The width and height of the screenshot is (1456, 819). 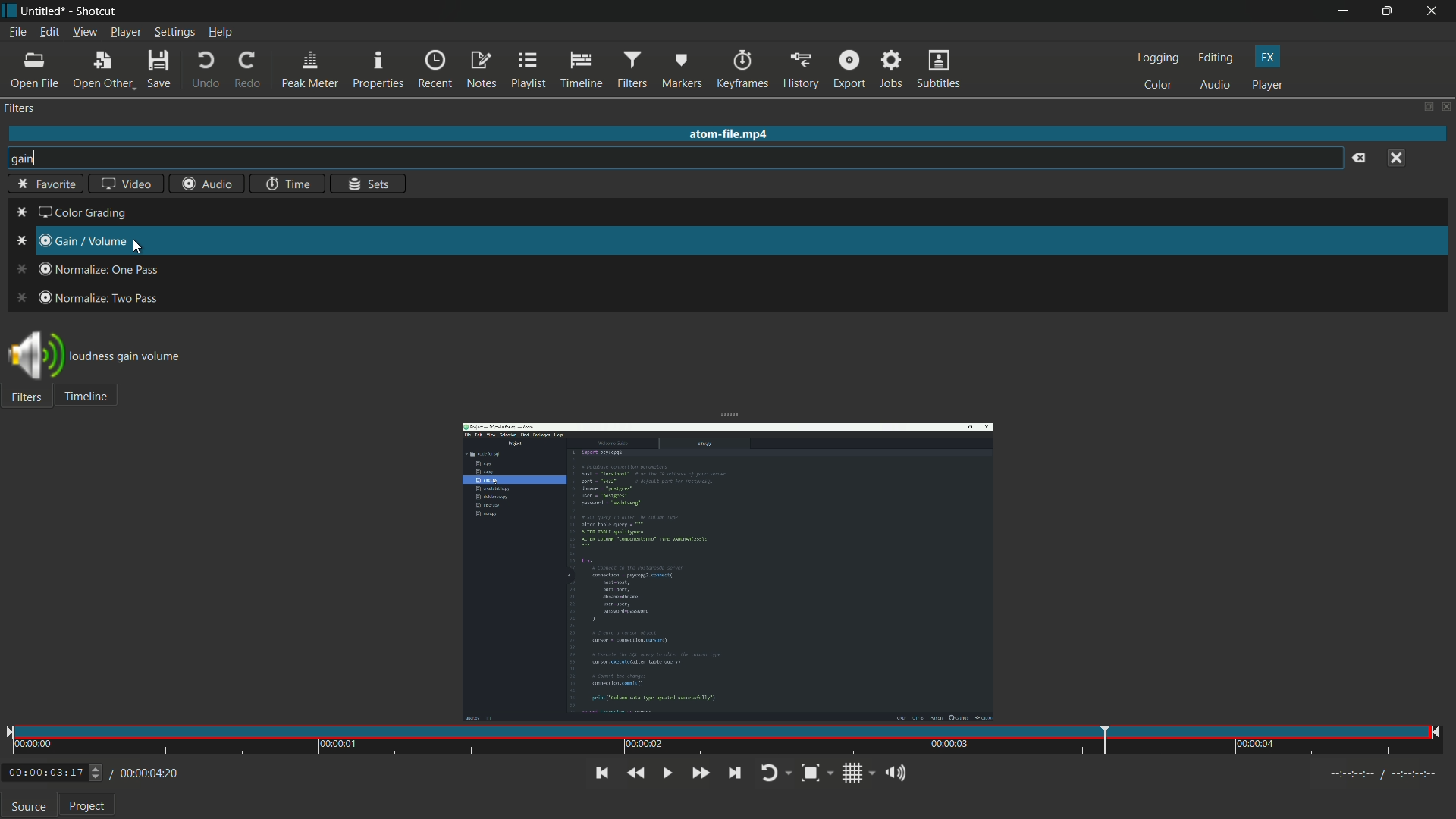 I want to click on time and position, so click(x=726, y=742).